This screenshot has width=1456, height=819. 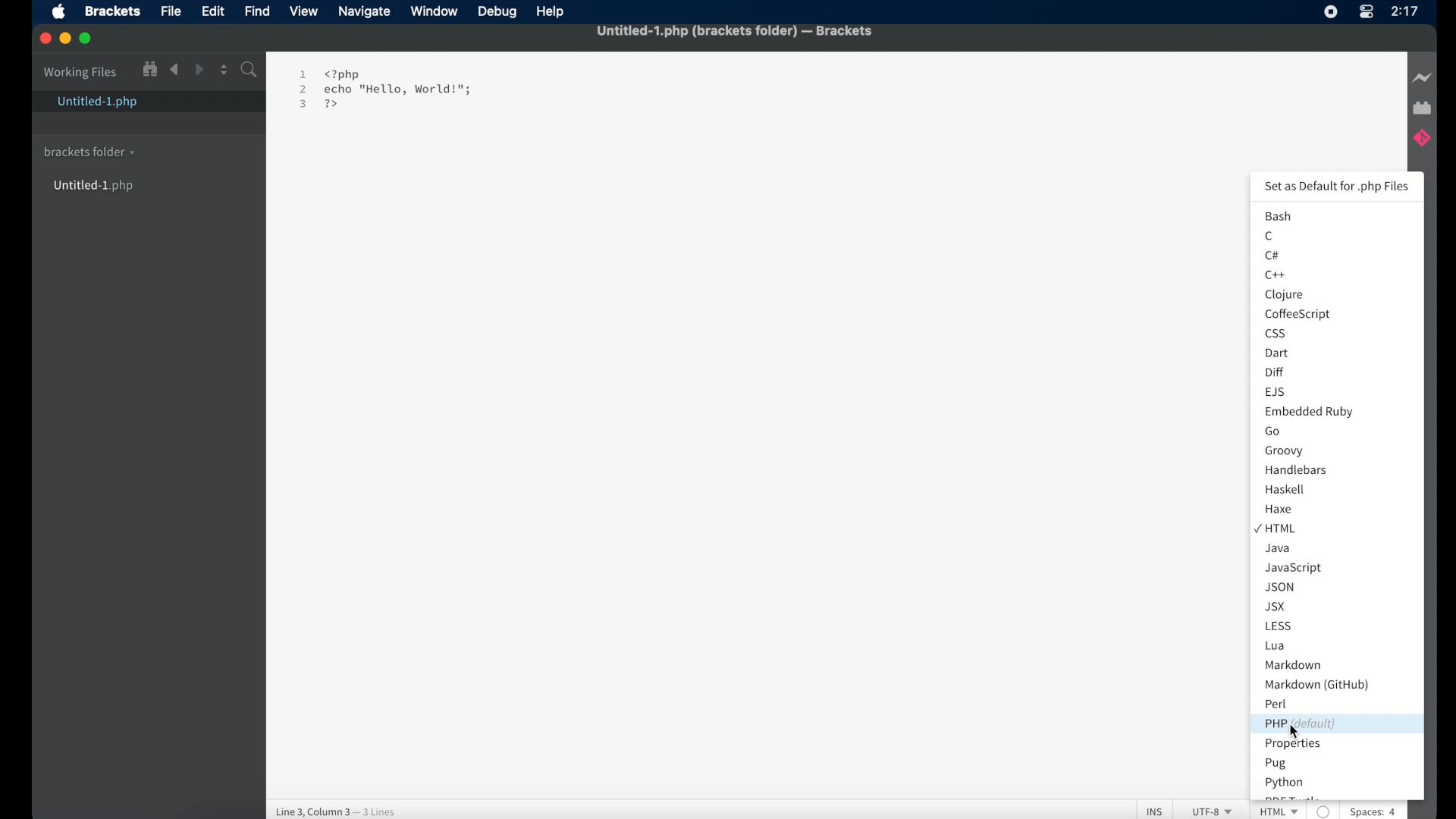 What do you see at coordinates (1335, 724) in the screenshot?
I see `php highlighted` at bounding box center [1335, 724].